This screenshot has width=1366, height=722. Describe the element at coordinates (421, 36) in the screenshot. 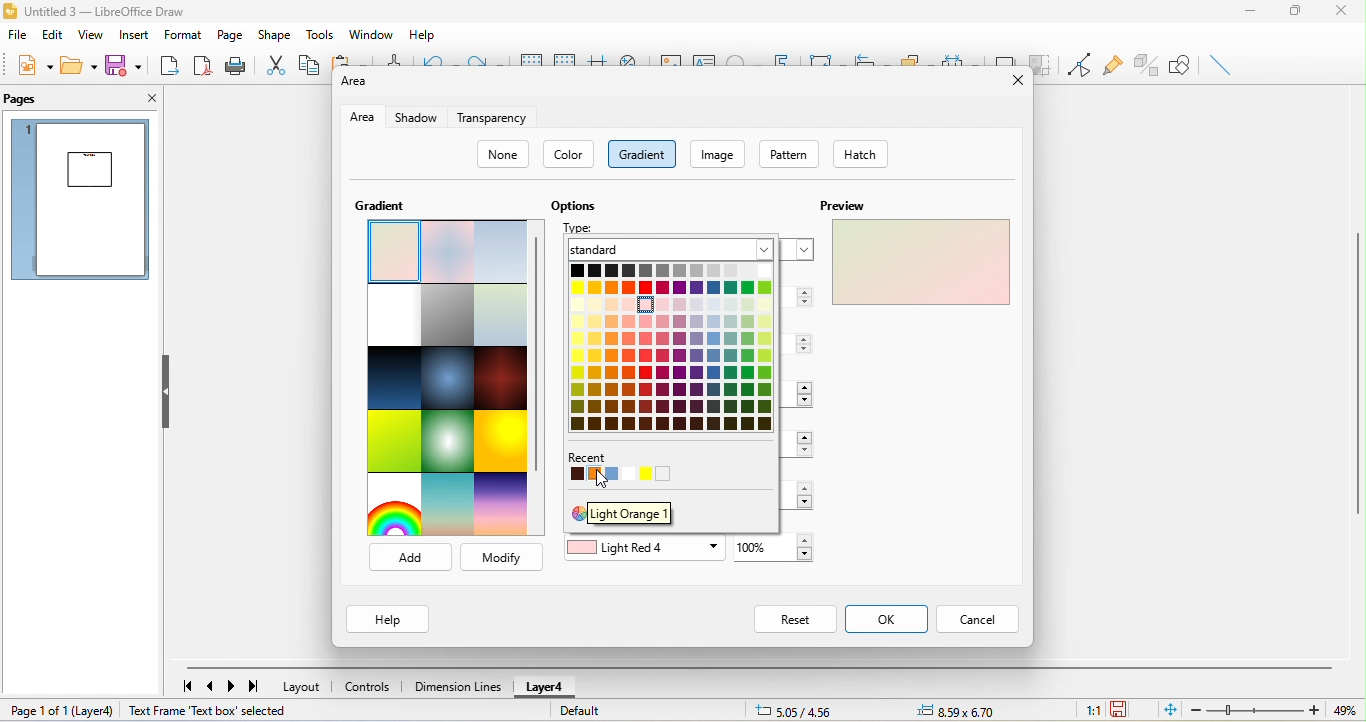

I see `help` at that location.